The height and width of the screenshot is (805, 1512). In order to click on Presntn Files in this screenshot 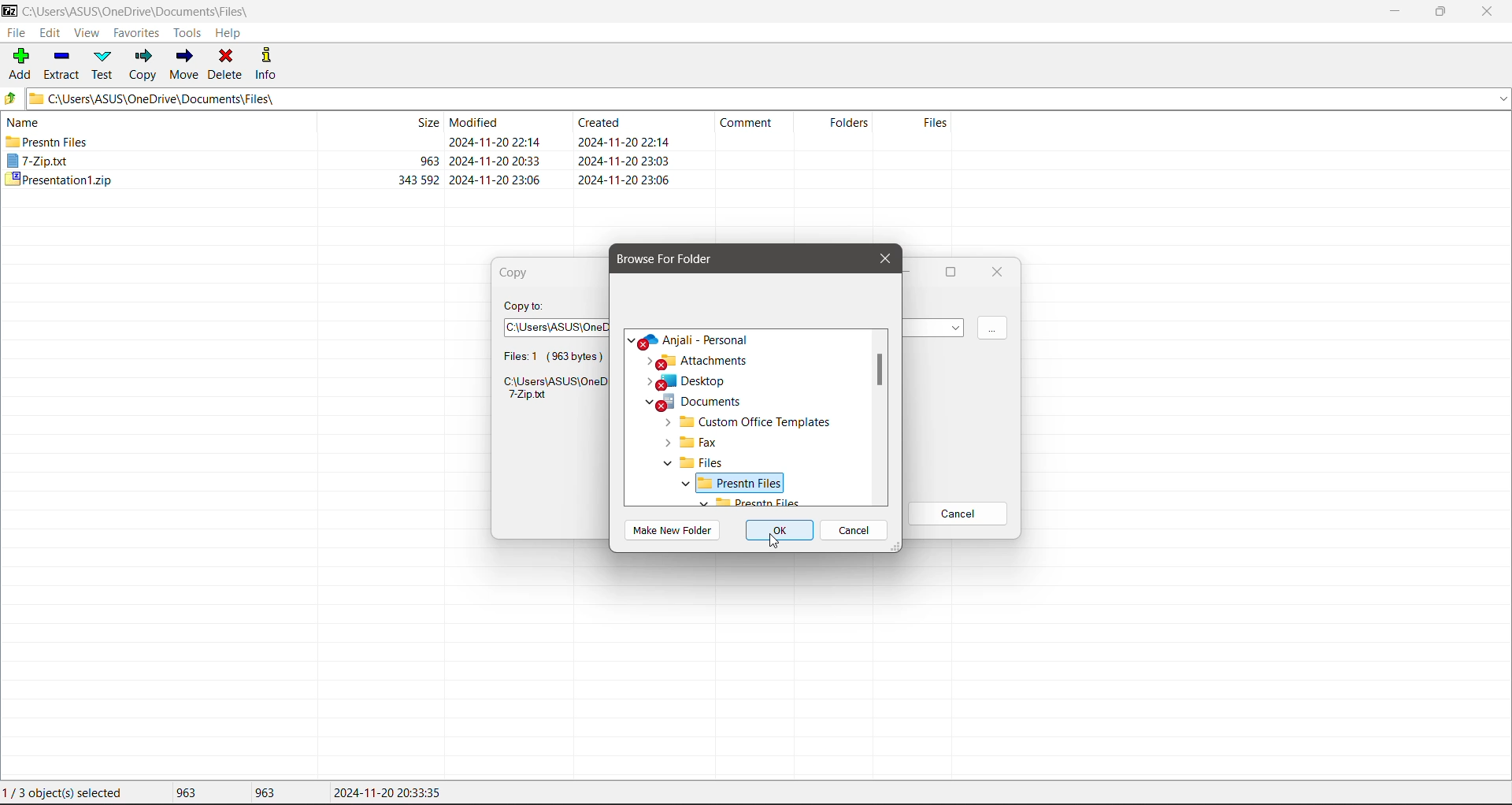, I will do `click(48, 142)`.